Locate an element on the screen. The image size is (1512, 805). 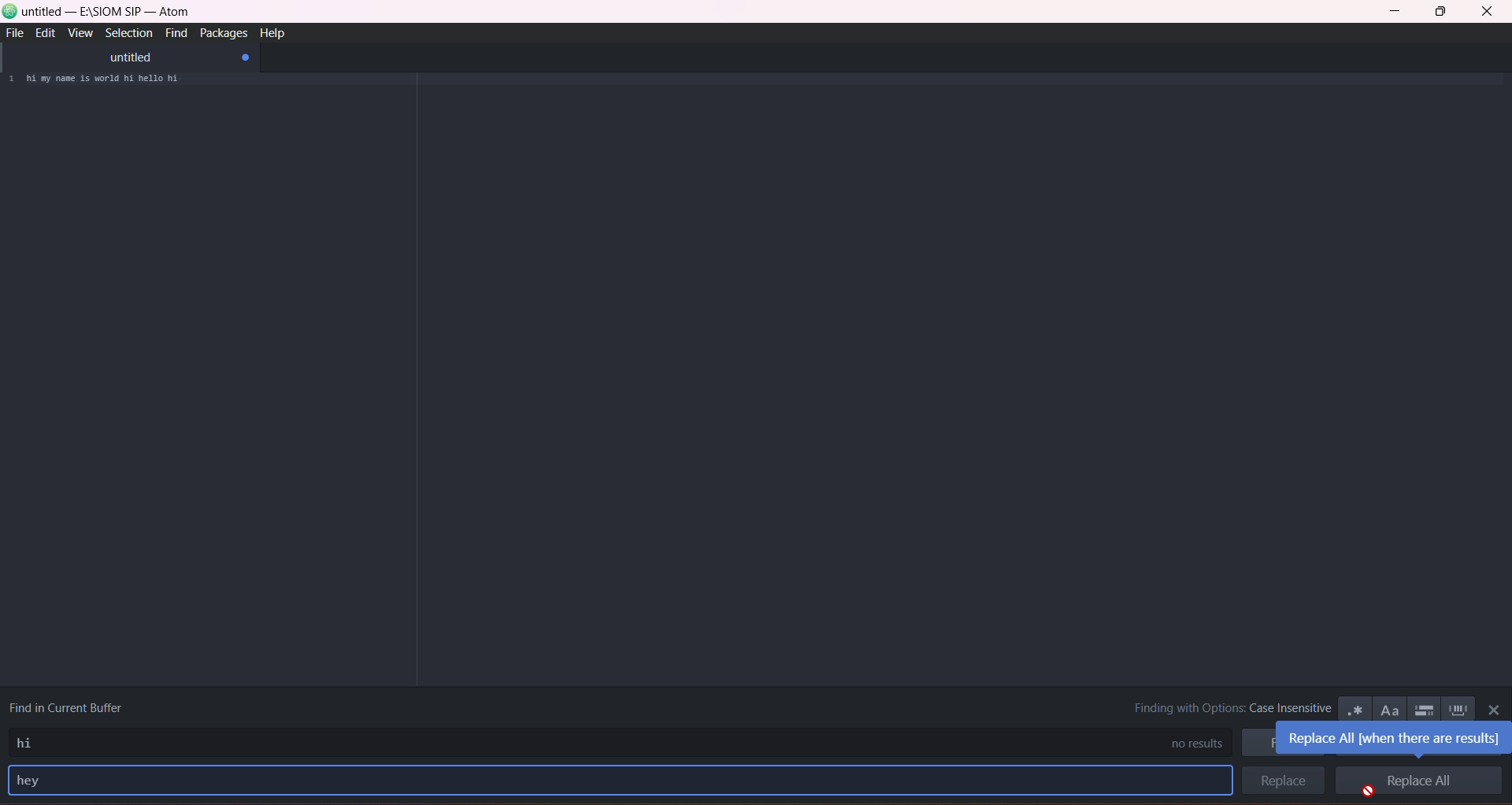
no results is located at coordinates (1187, 743).